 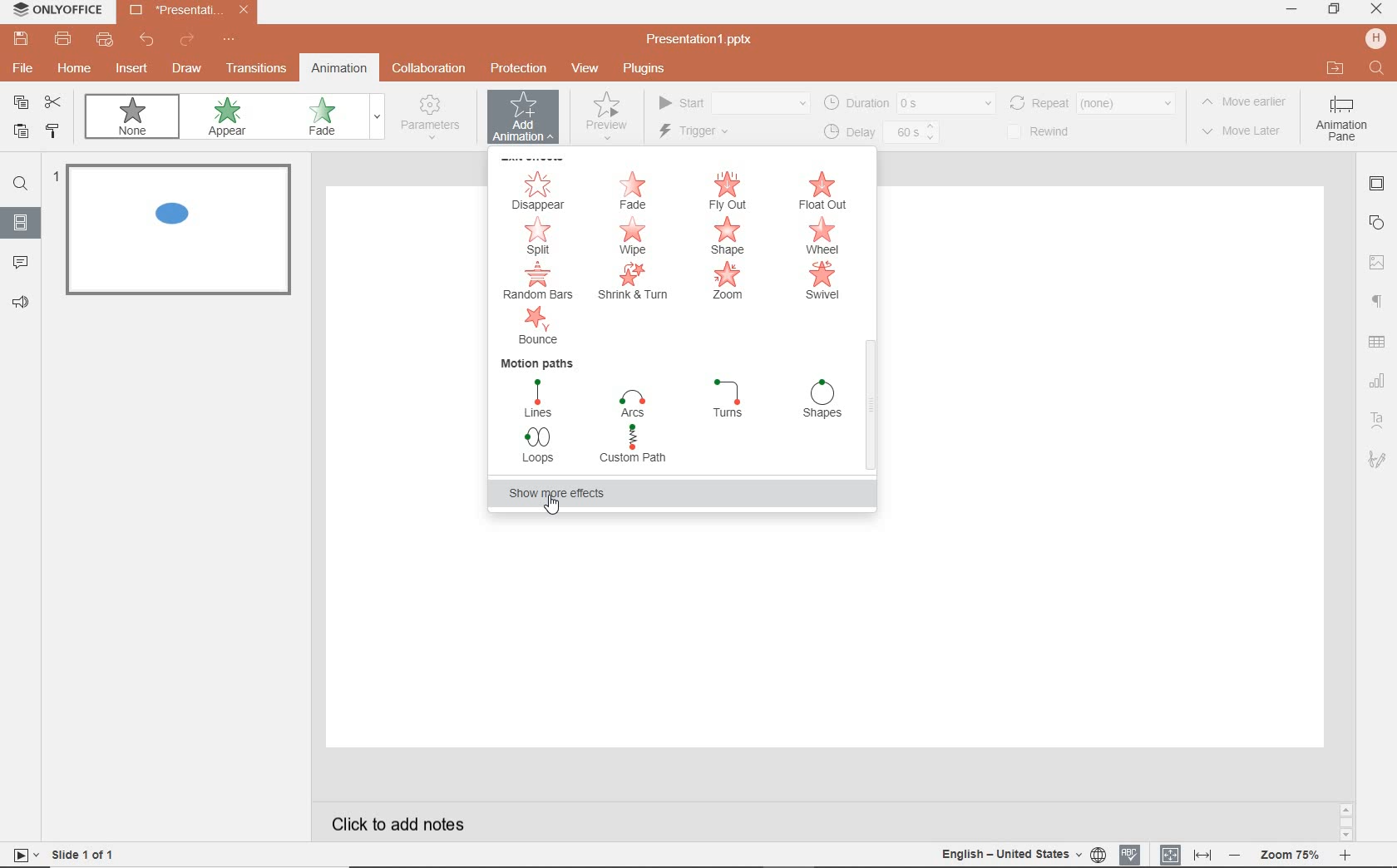 I want to click on fade, so click(x=331, y=118).